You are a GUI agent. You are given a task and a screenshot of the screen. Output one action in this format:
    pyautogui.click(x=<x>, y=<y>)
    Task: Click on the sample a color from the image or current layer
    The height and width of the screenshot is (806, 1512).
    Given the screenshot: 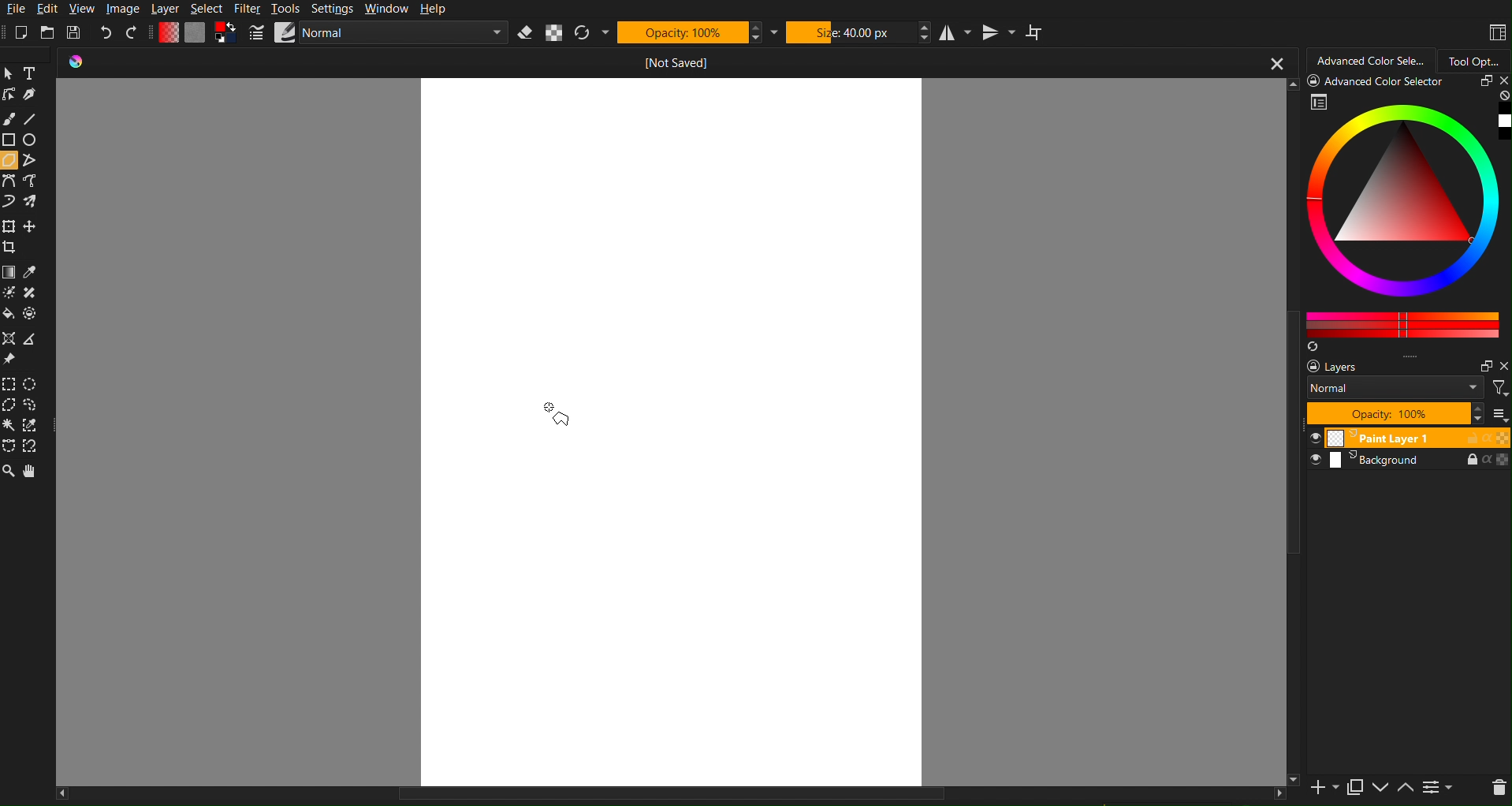 What is the action you would take?
    pyautogui.click(x=33, y=270)
    